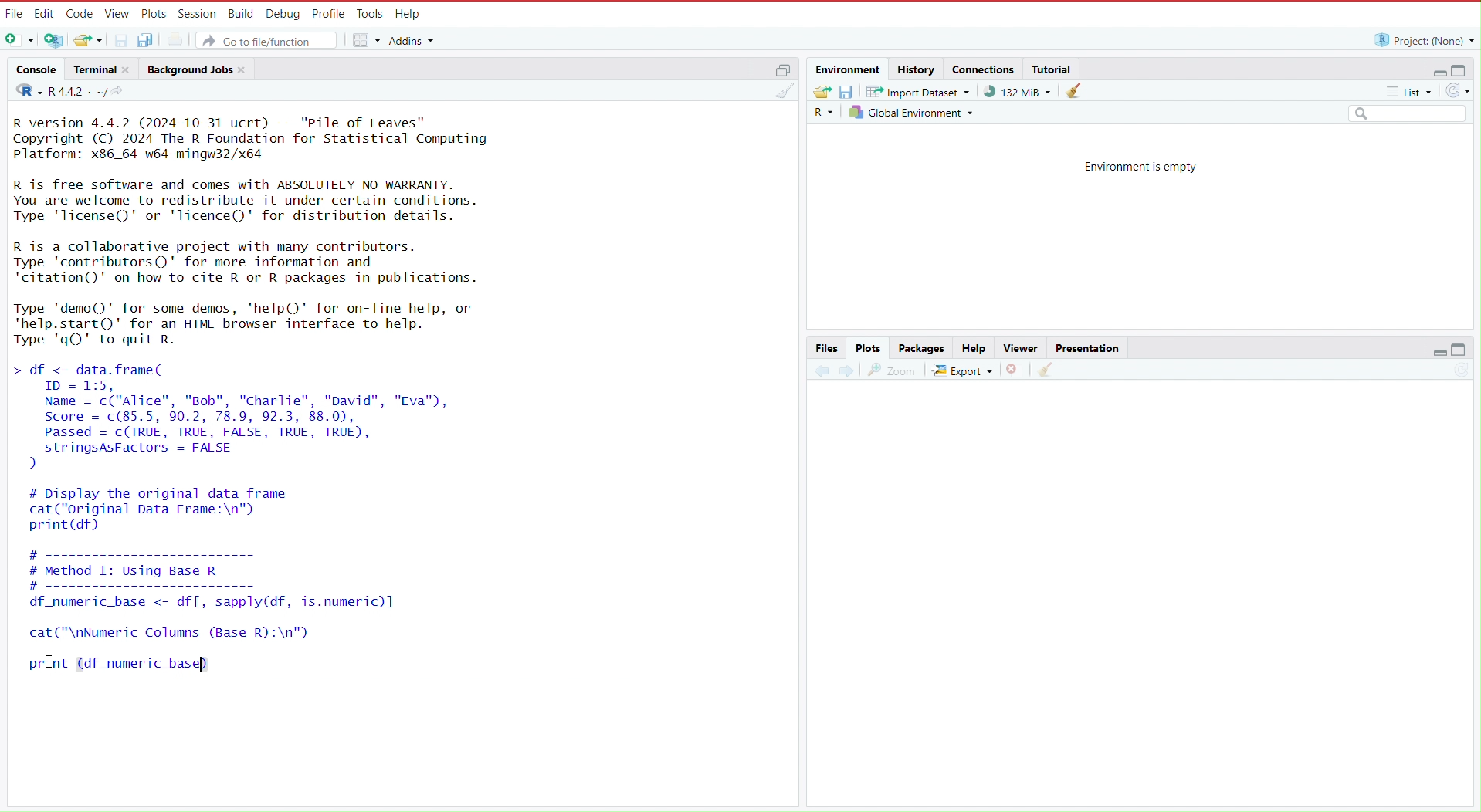 The width and height of the screenshot is (1481, 812). Describe the element at coordinates (1054, 69) in the screenshot. I see `Tutorial` at that location.